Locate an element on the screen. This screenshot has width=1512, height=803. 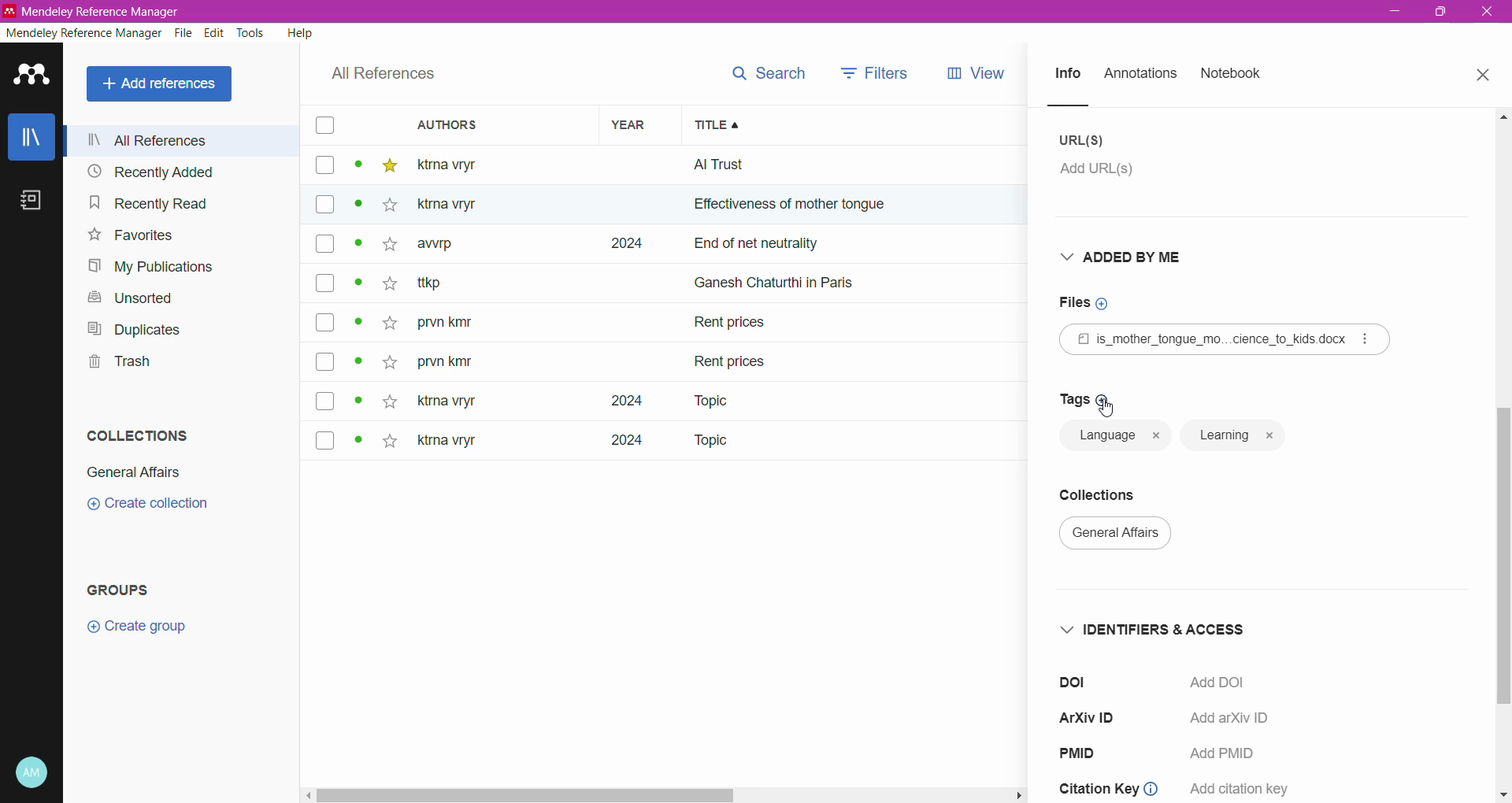
dot  is located at coordinates (354, 209).